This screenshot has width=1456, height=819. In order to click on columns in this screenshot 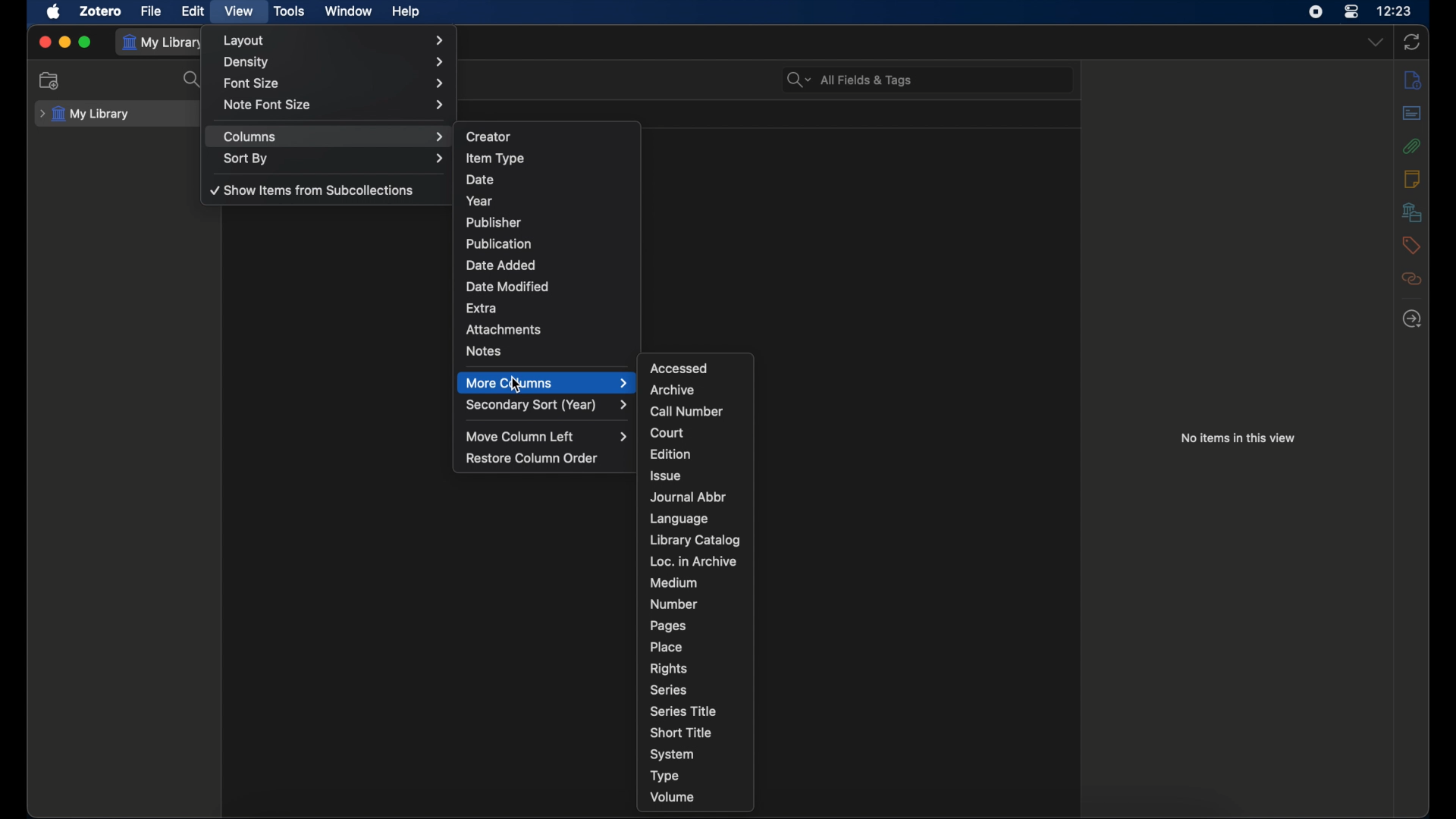, I will do `click(334, 137)`.